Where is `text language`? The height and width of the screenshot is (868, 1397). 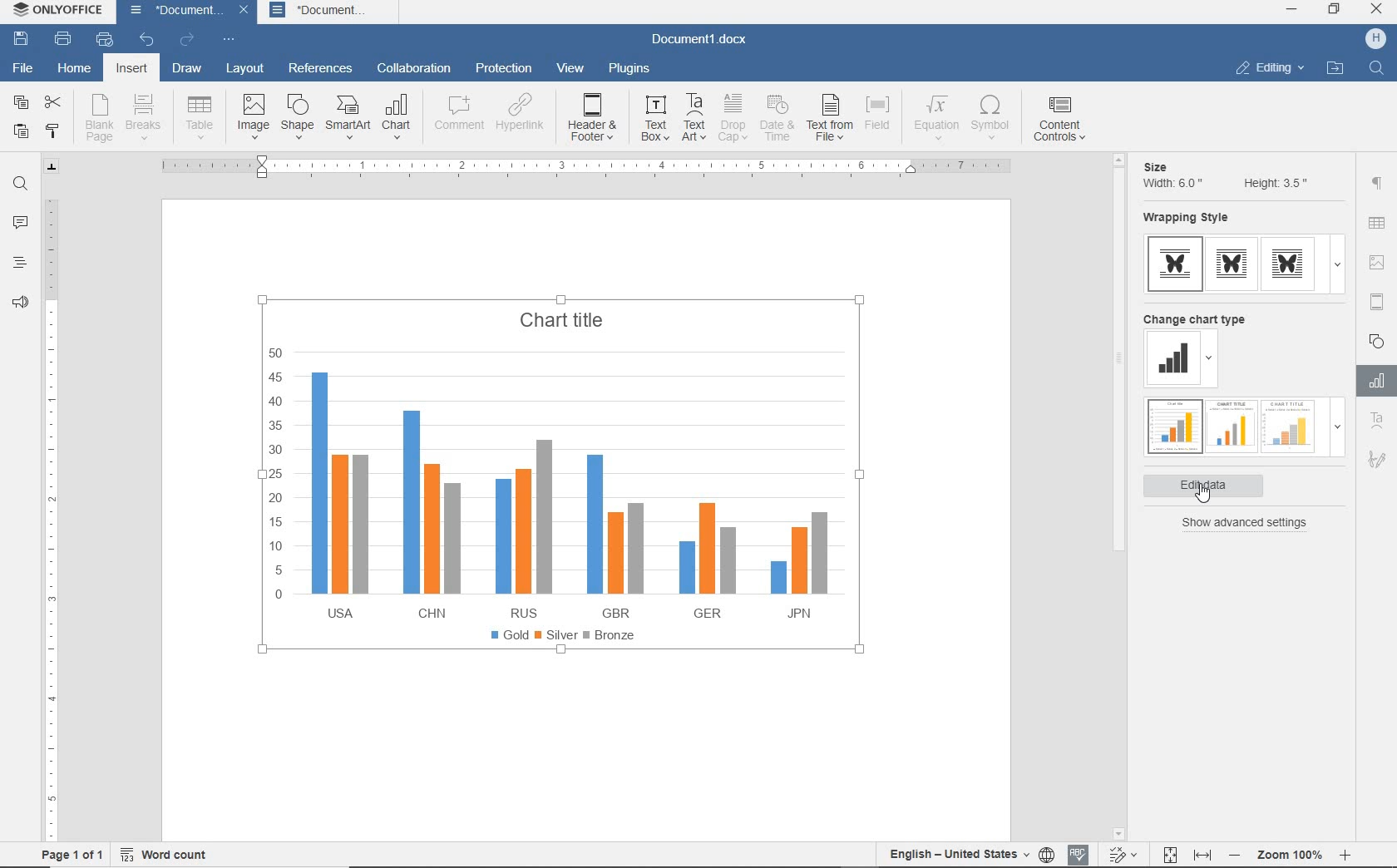
text language is located at coordinates (958, 853).